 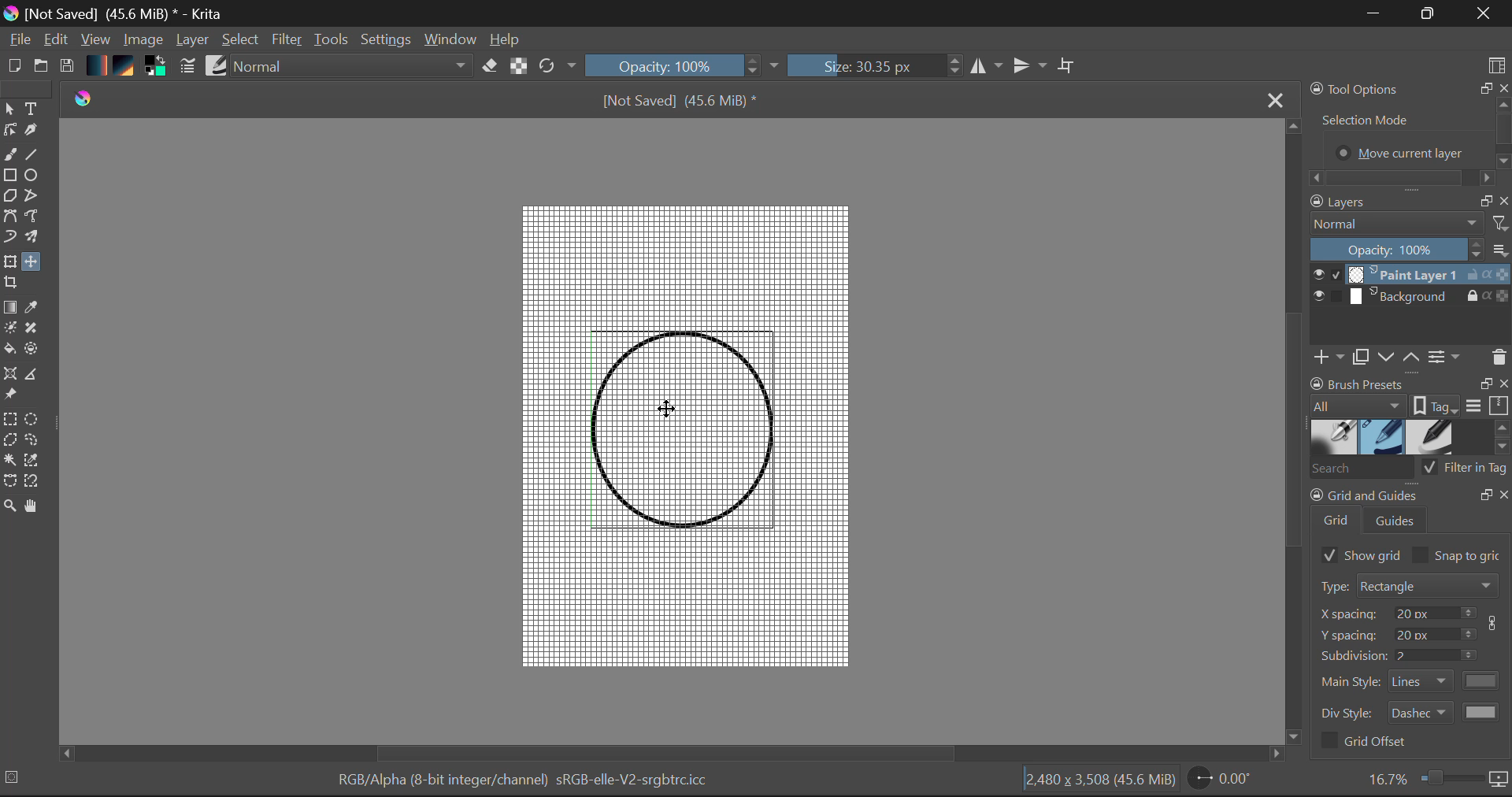 I want to click on Smart Patch Tool, so click(x=36, y=328).